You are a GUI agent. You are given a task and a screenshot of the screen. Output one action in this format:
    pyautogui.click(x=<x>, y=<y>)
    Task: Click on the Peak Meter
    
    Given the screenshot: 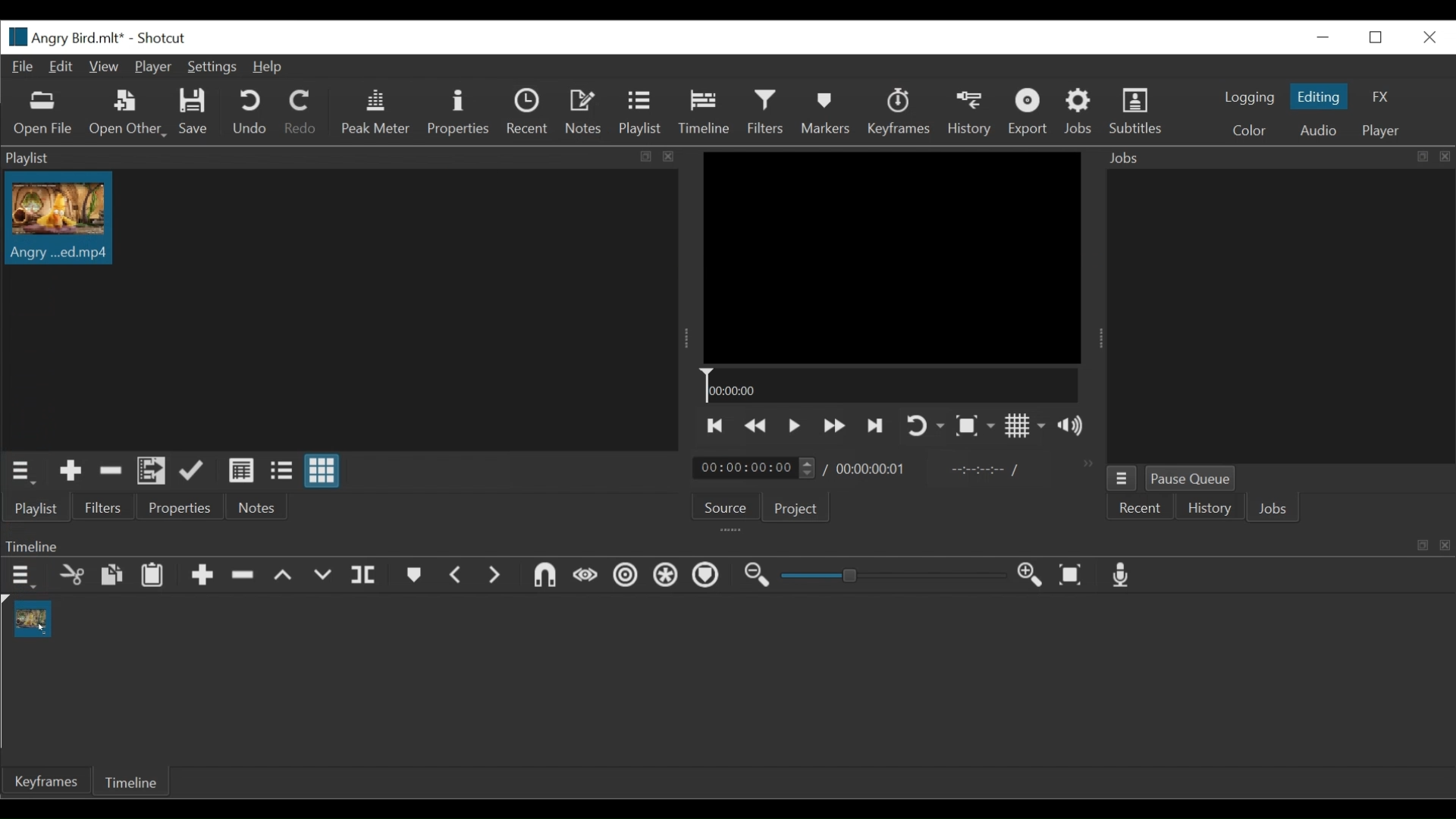 What is the action you would take?
    pyautogui.click(x=376, y=113)
    